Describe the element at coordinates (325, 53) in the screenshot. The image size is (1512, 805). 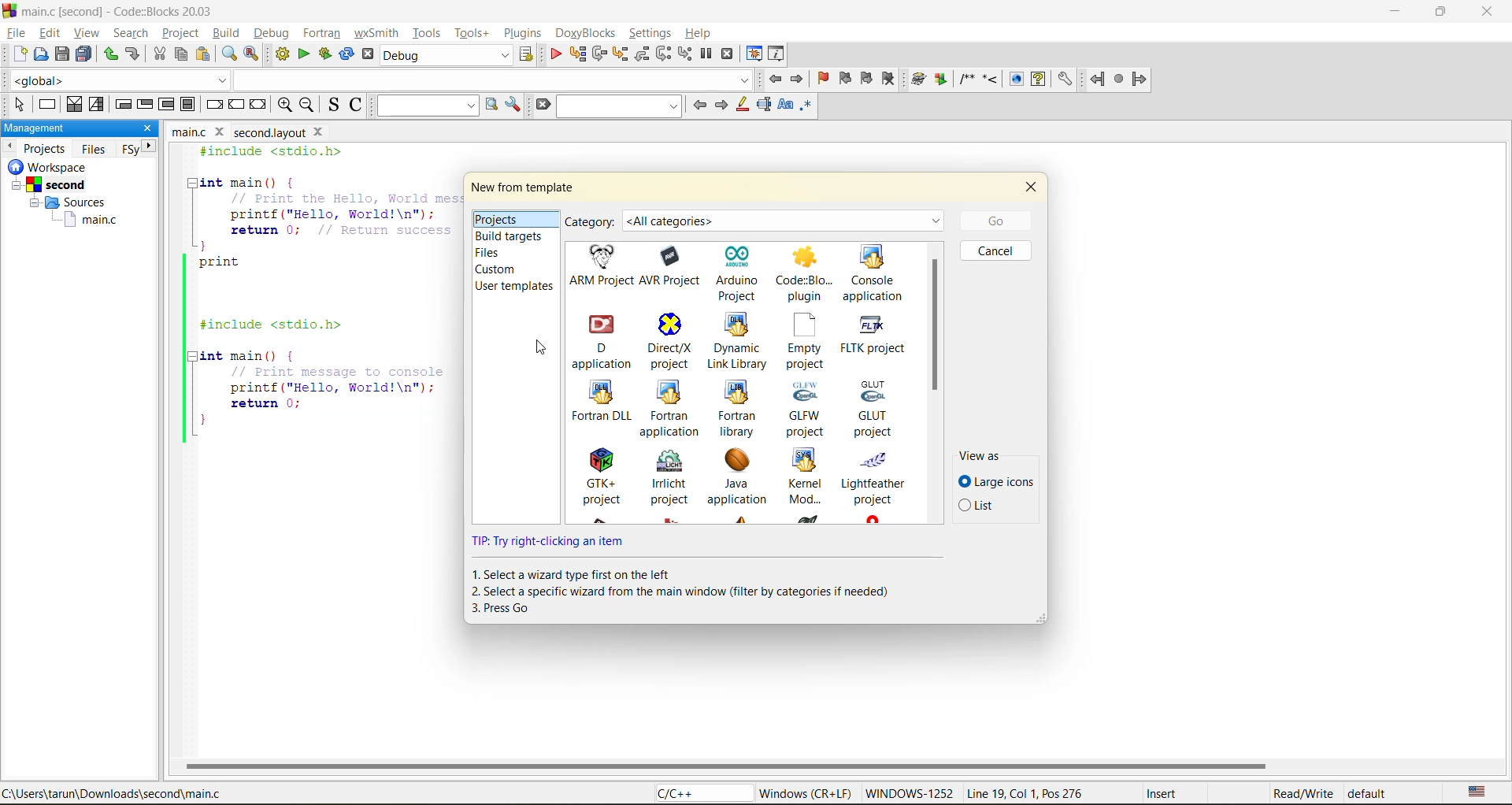
I see `build and run` at that location.